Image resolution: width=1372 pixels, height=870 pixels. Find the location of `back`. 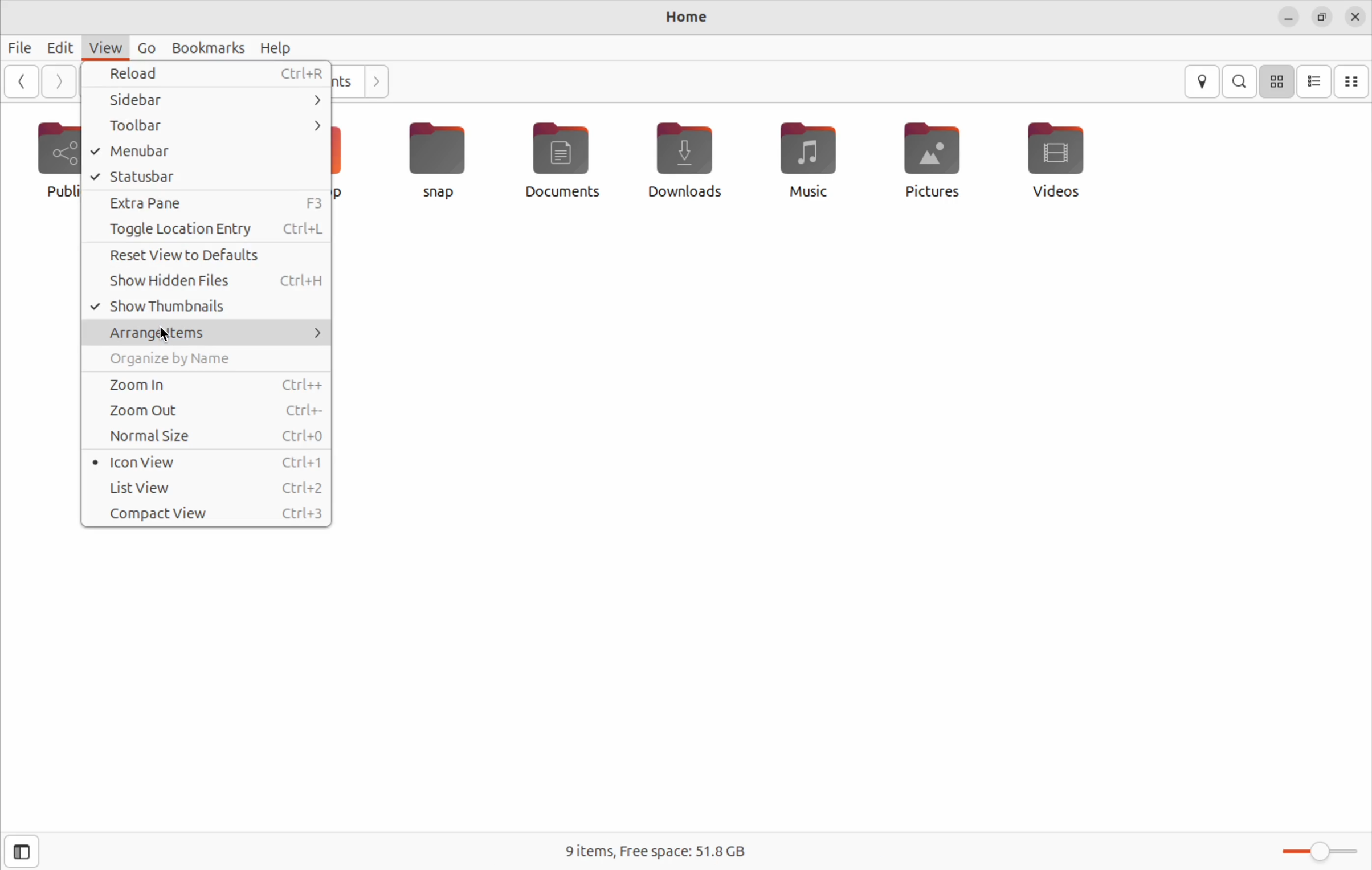

back is located at coordinates (22, 83).